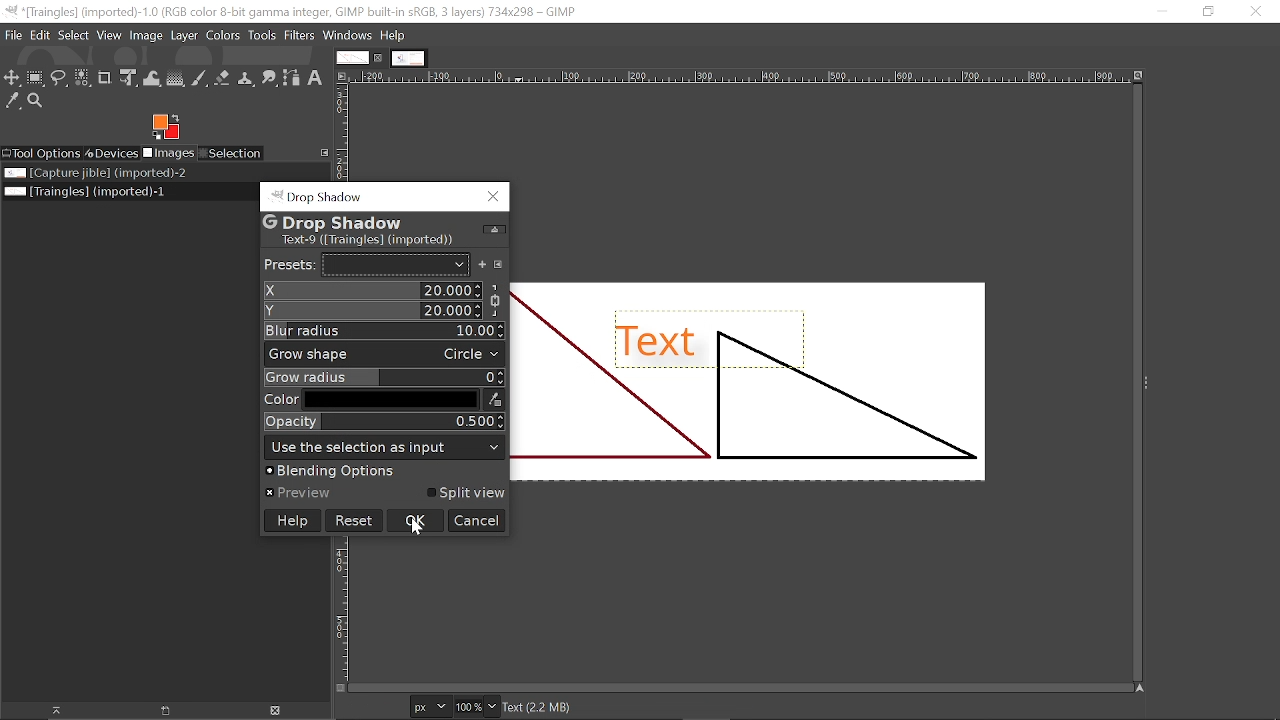 The height and width of the screenshot is (720, 1280). Describe the element at coordinates (341, 689) in the screenshot. I see `Toggle quick mask on/off` at that location.